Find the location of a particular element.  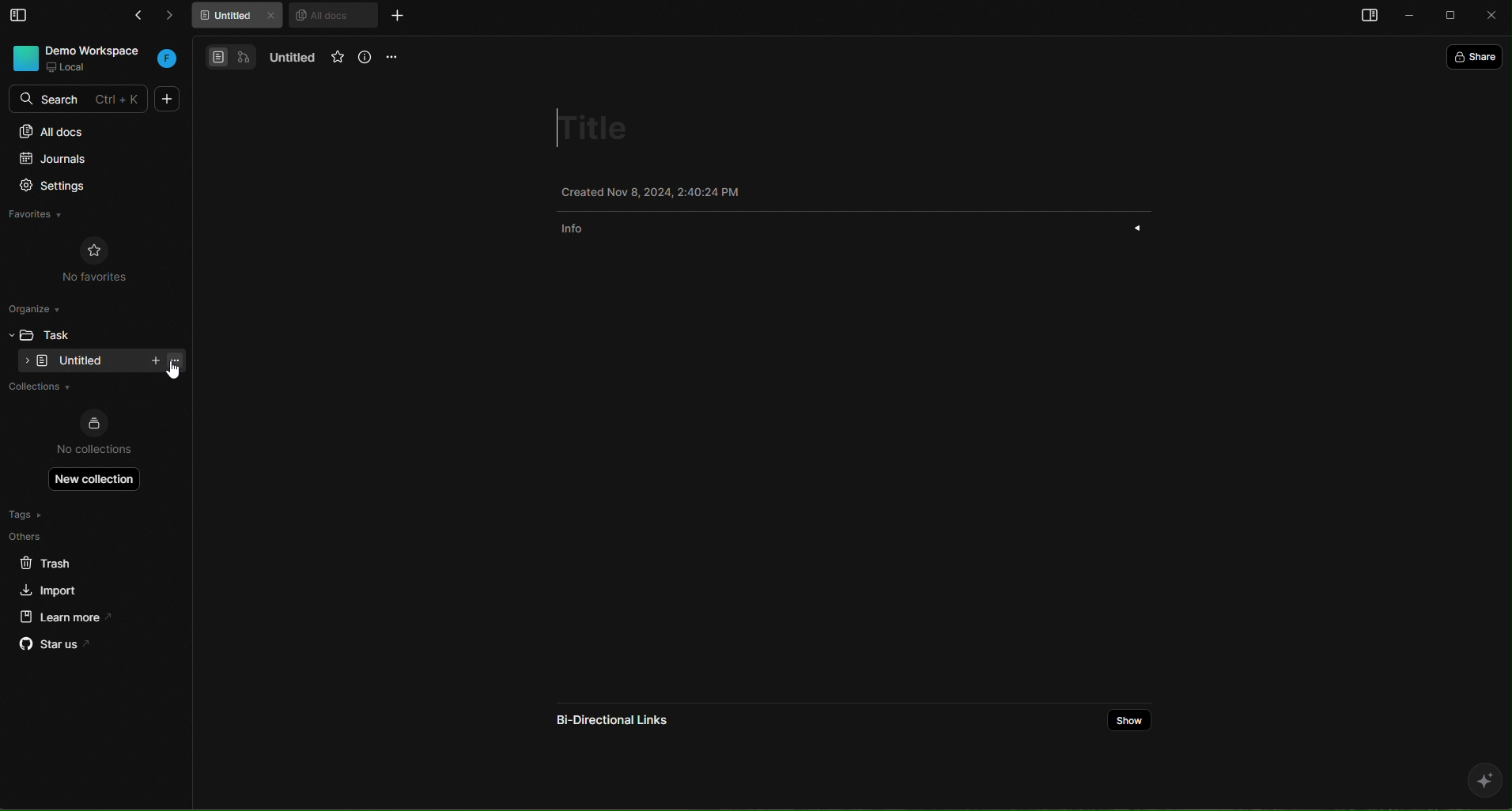

all docs is located at coordinates (93, 130).